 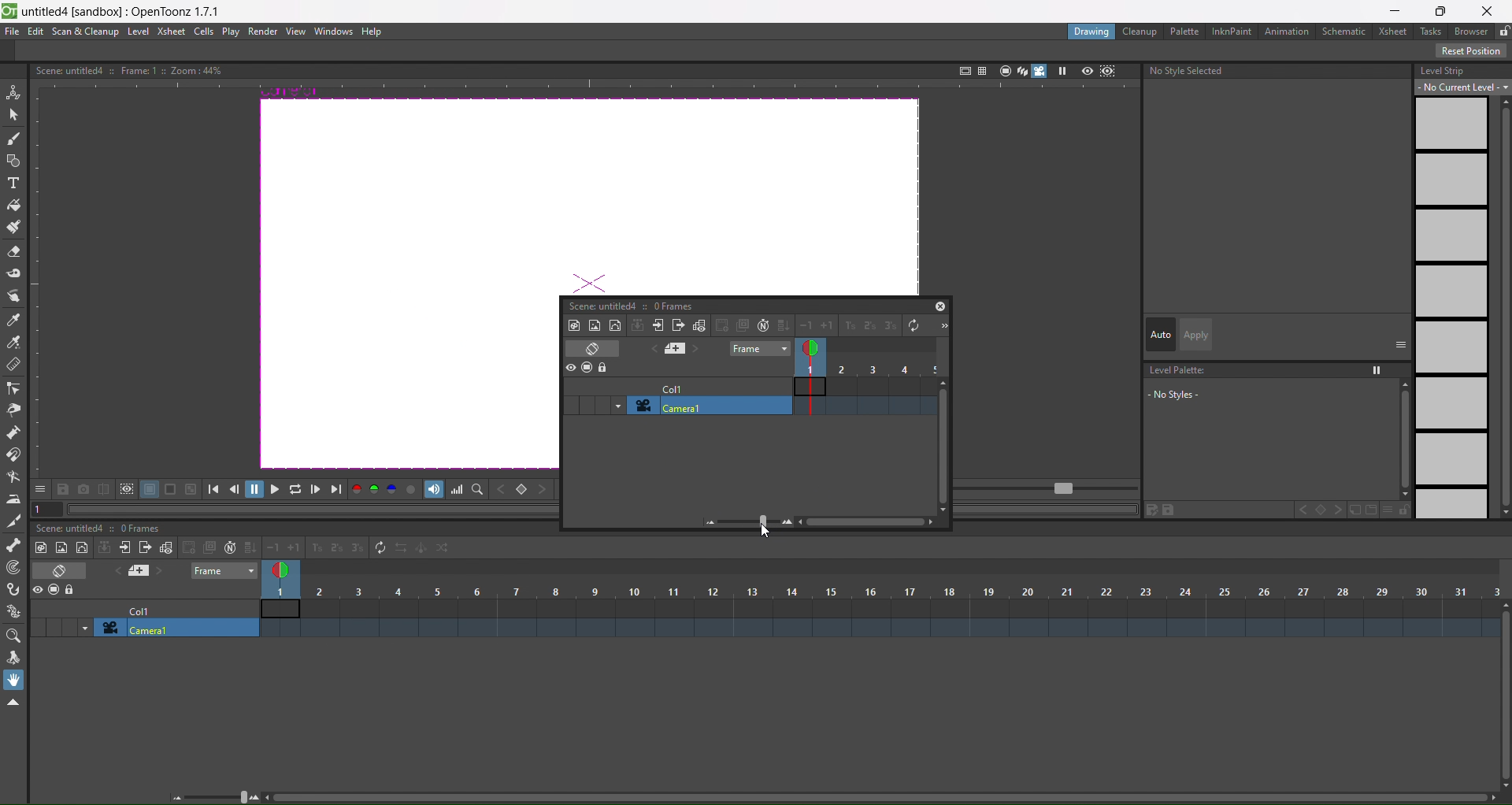 What do you see at coordinates (14, 113) in the screenshot?
I see `selection tool` at bounding box center [14, 113].